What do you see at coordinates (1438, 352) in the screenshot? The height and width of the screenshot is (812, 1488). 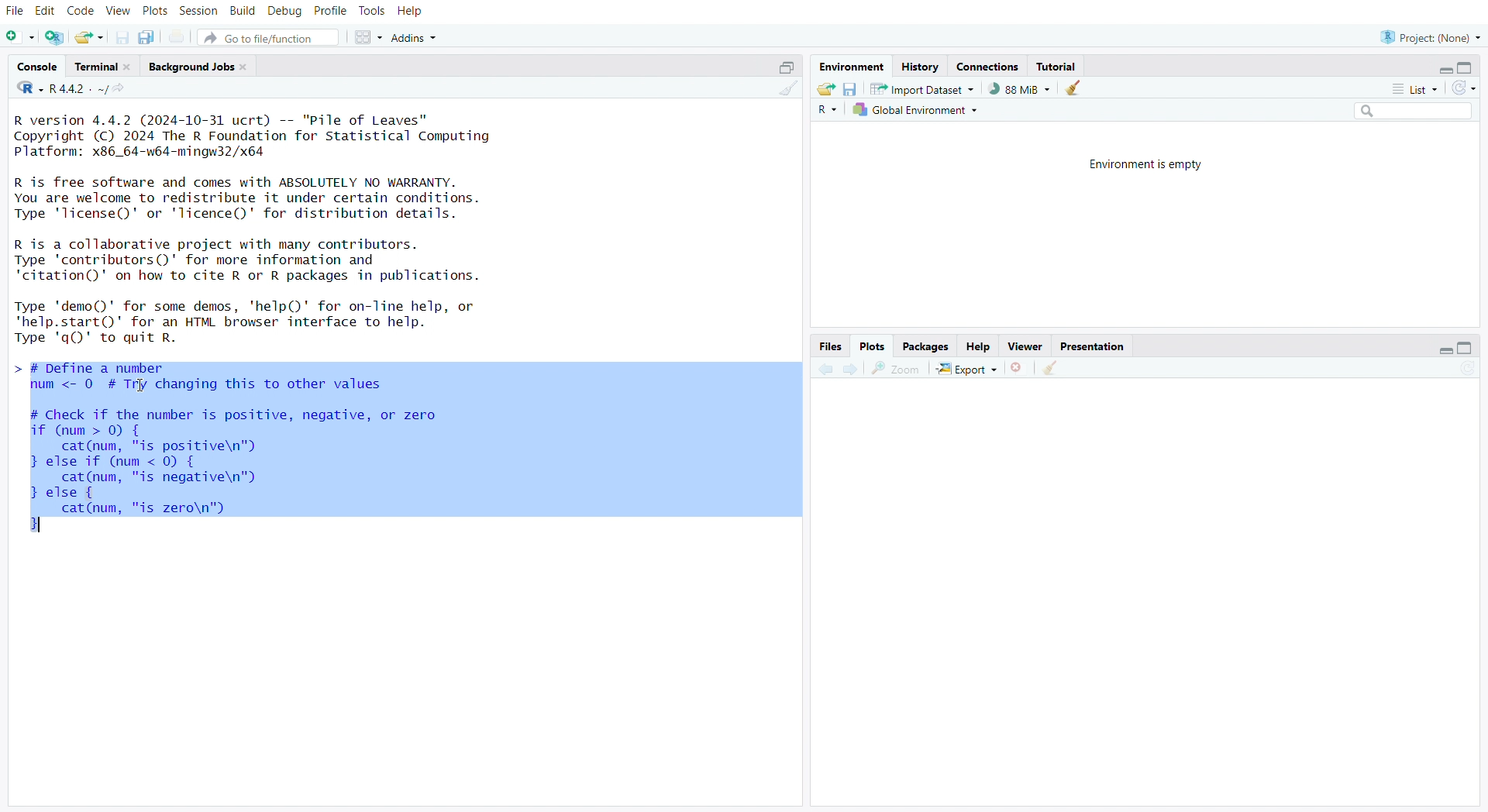 I see `expand` at bounding box center [1438, 352].